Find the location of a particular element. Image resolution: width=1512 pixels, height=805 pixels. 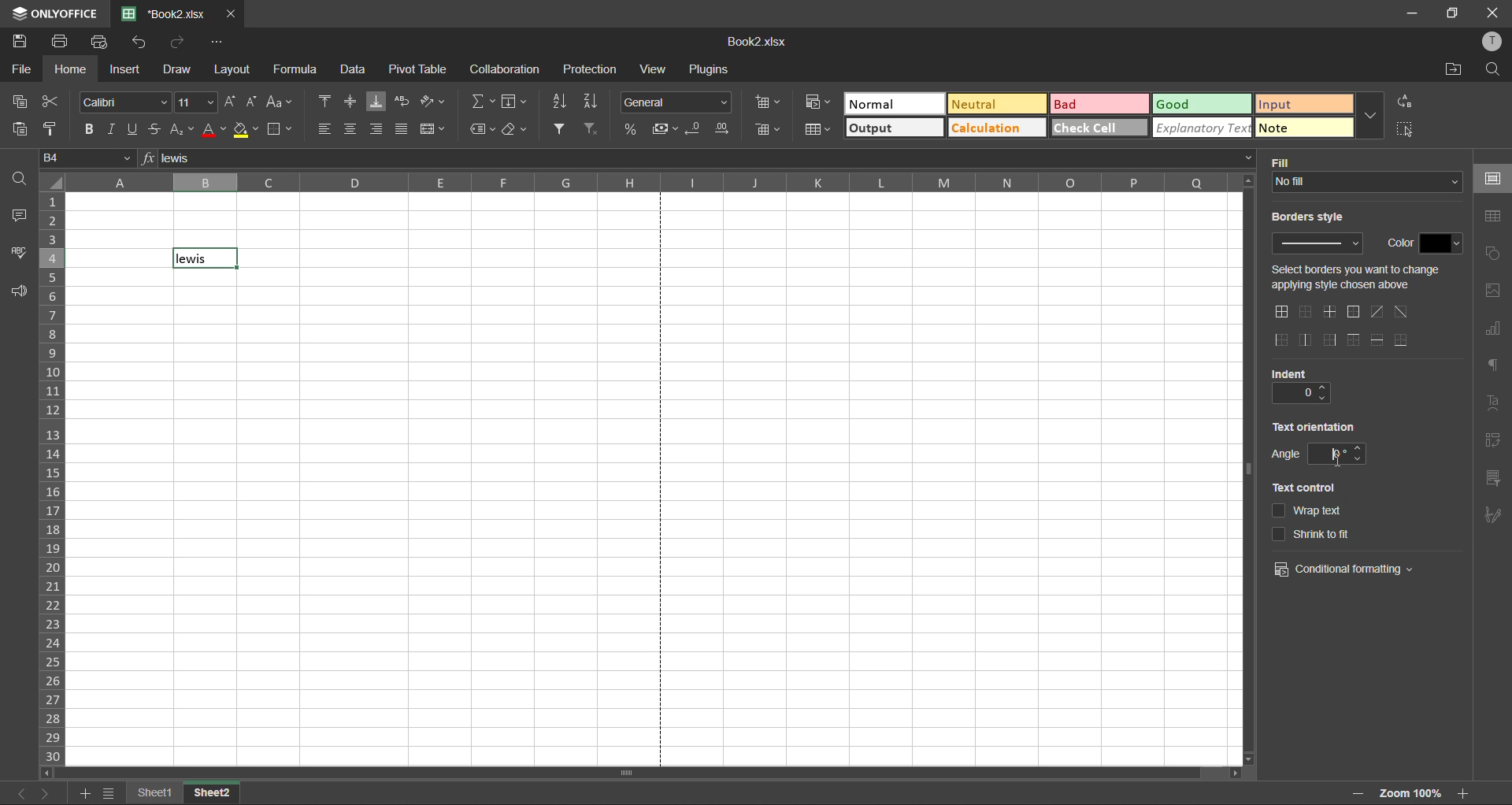

text orientation  is located at coordinates (1316, 426).